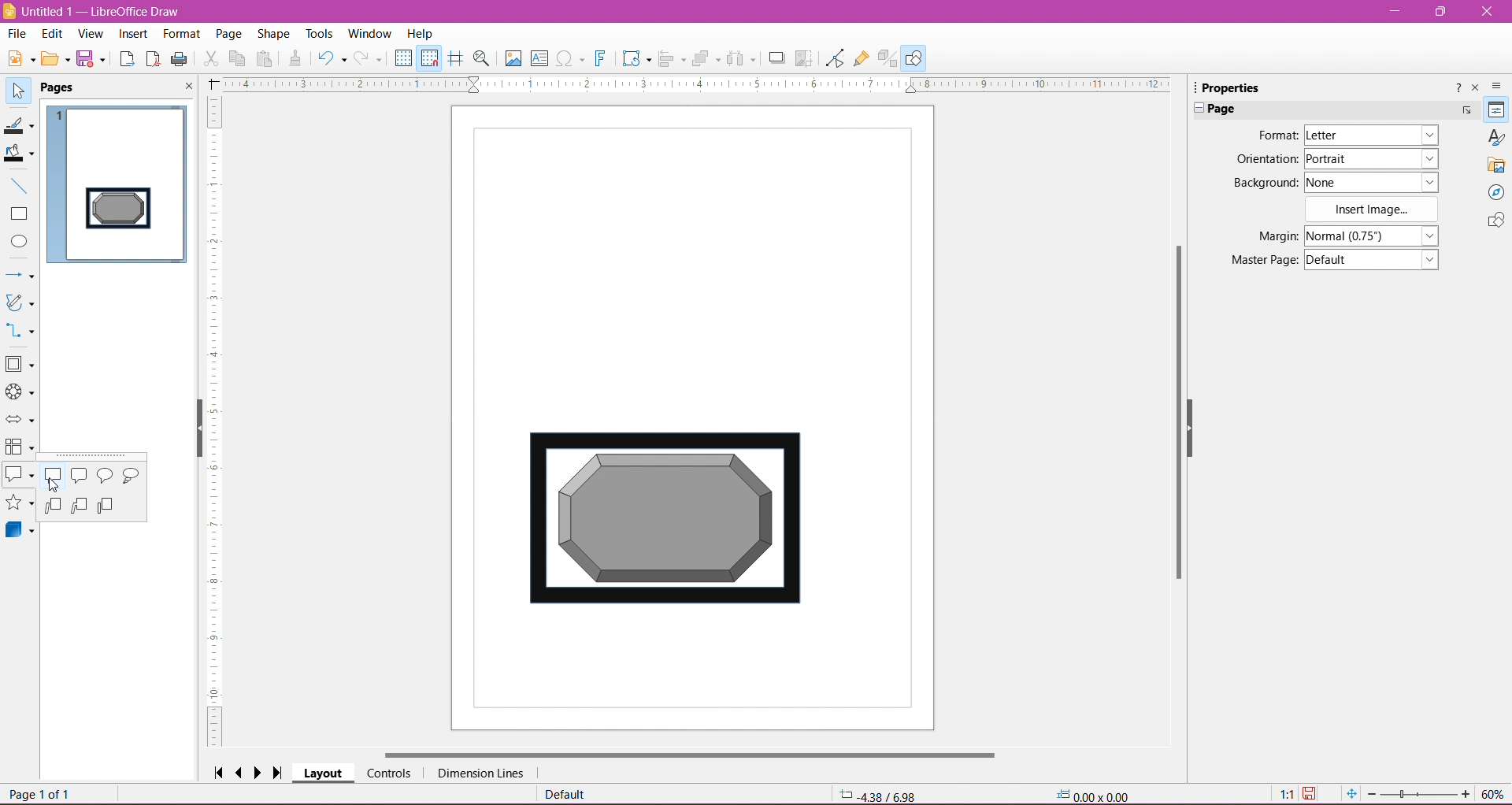  What do you see at coordinates (81, 477) in the screenshot?
I see `Rounded Rectangular Callout` at bounding box center [81, 477].